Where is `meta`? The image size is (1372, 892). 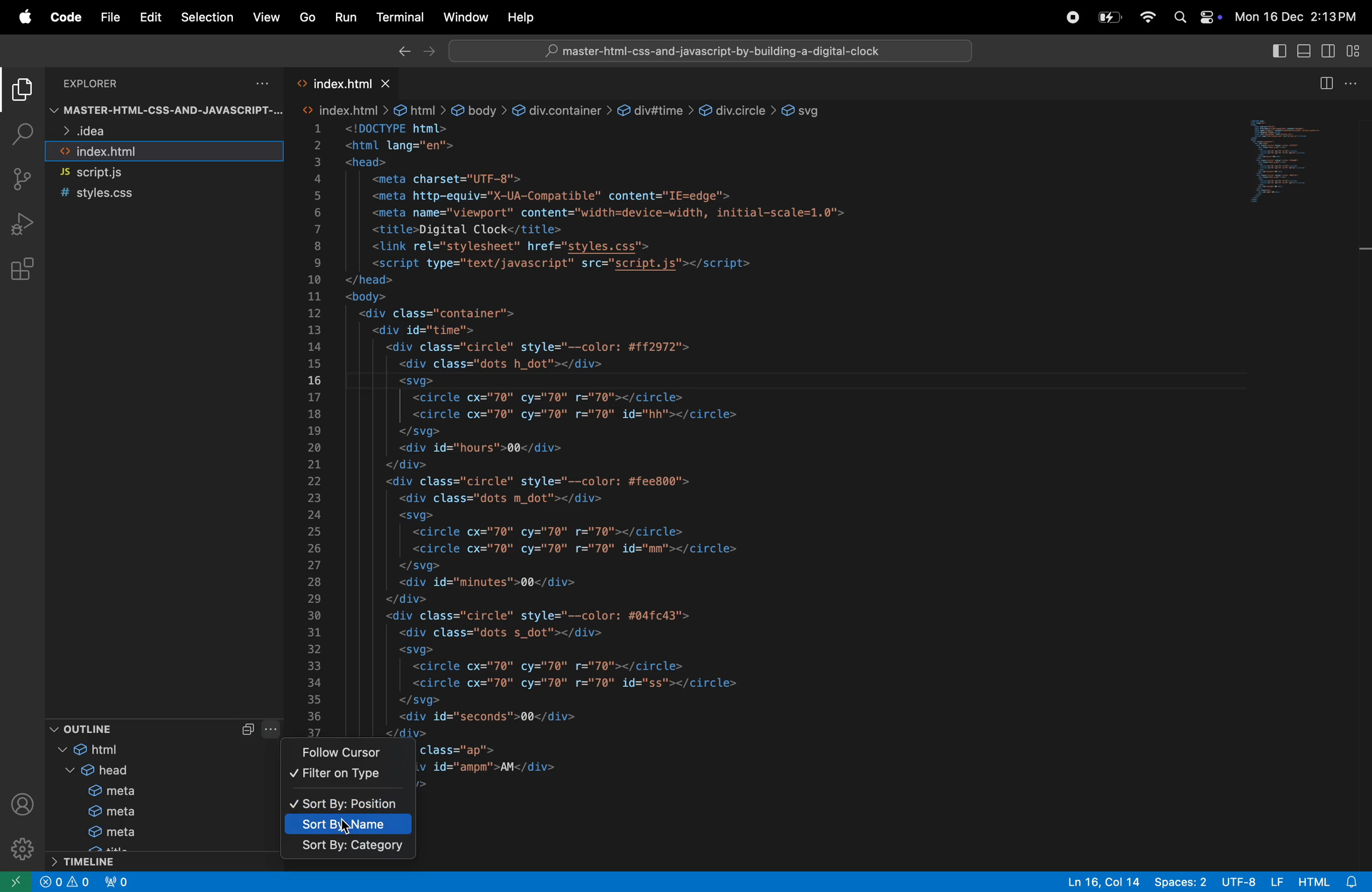
meta is located at coordinates (163, 810).